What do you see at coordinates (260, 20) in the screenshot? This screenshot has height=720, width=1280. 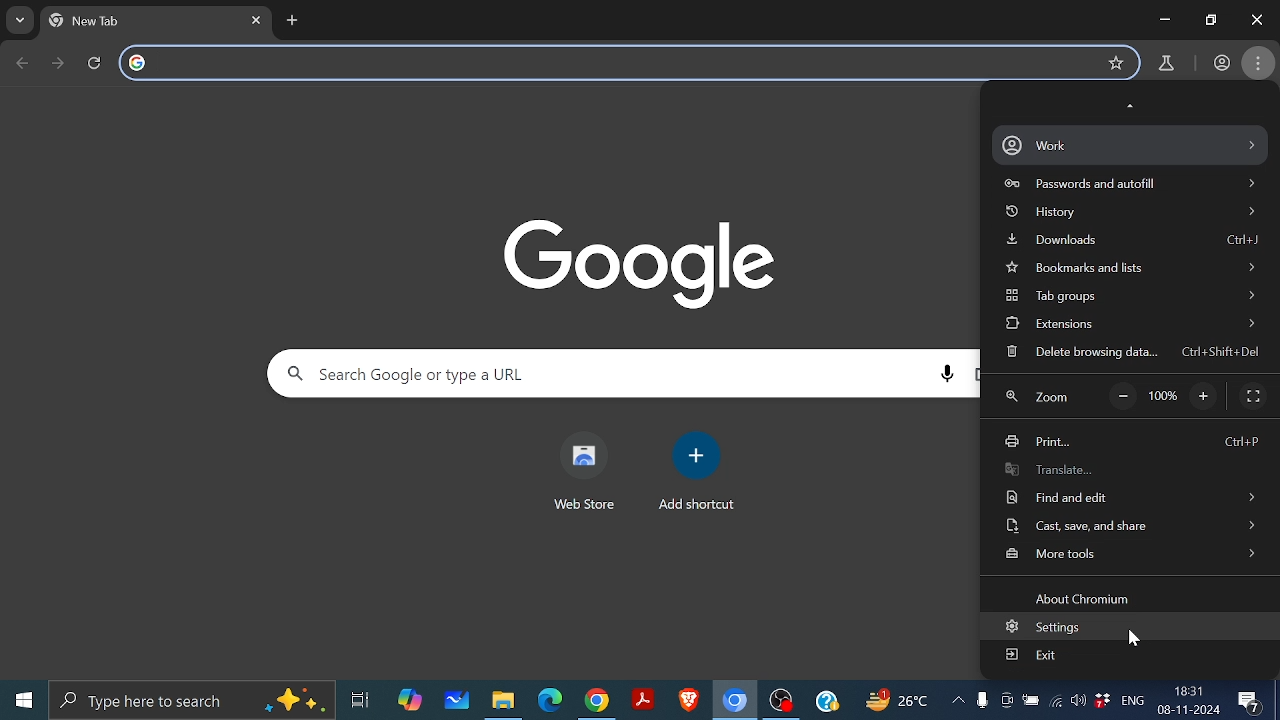 I see `Close current tab` at bounding box center [260, 20].